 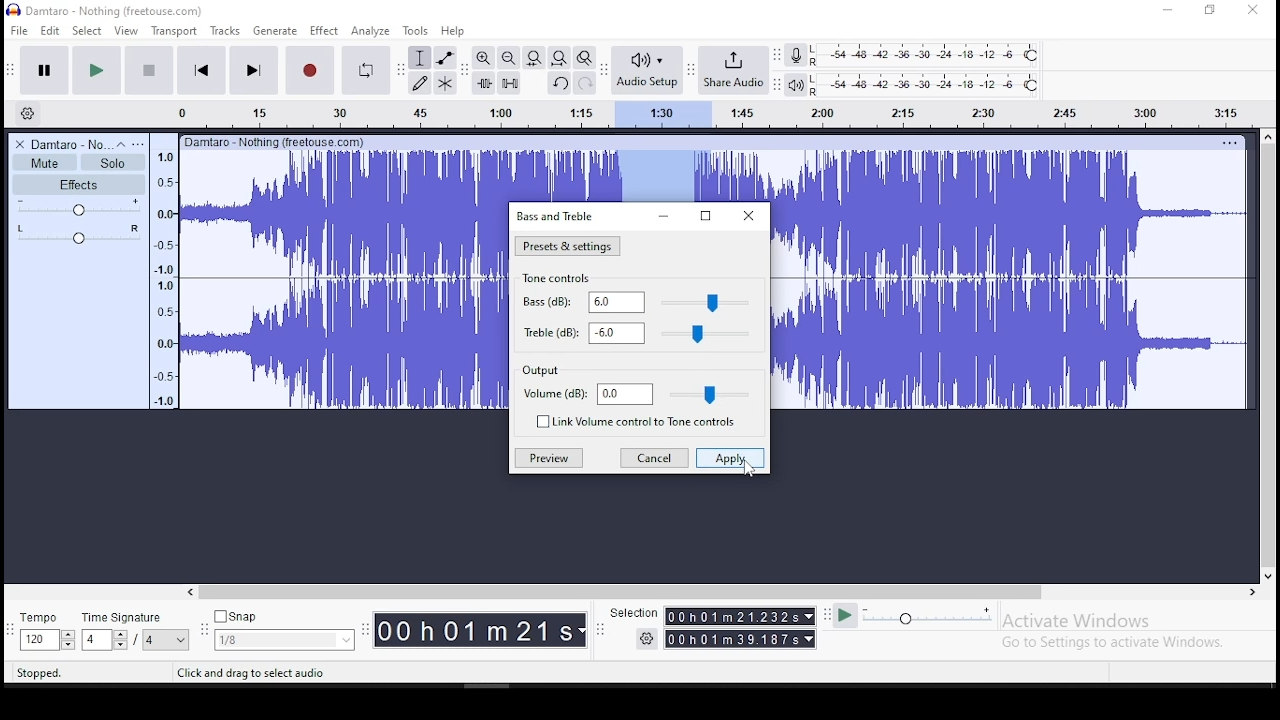 I want to click on down, so click(x=1267, y=573).